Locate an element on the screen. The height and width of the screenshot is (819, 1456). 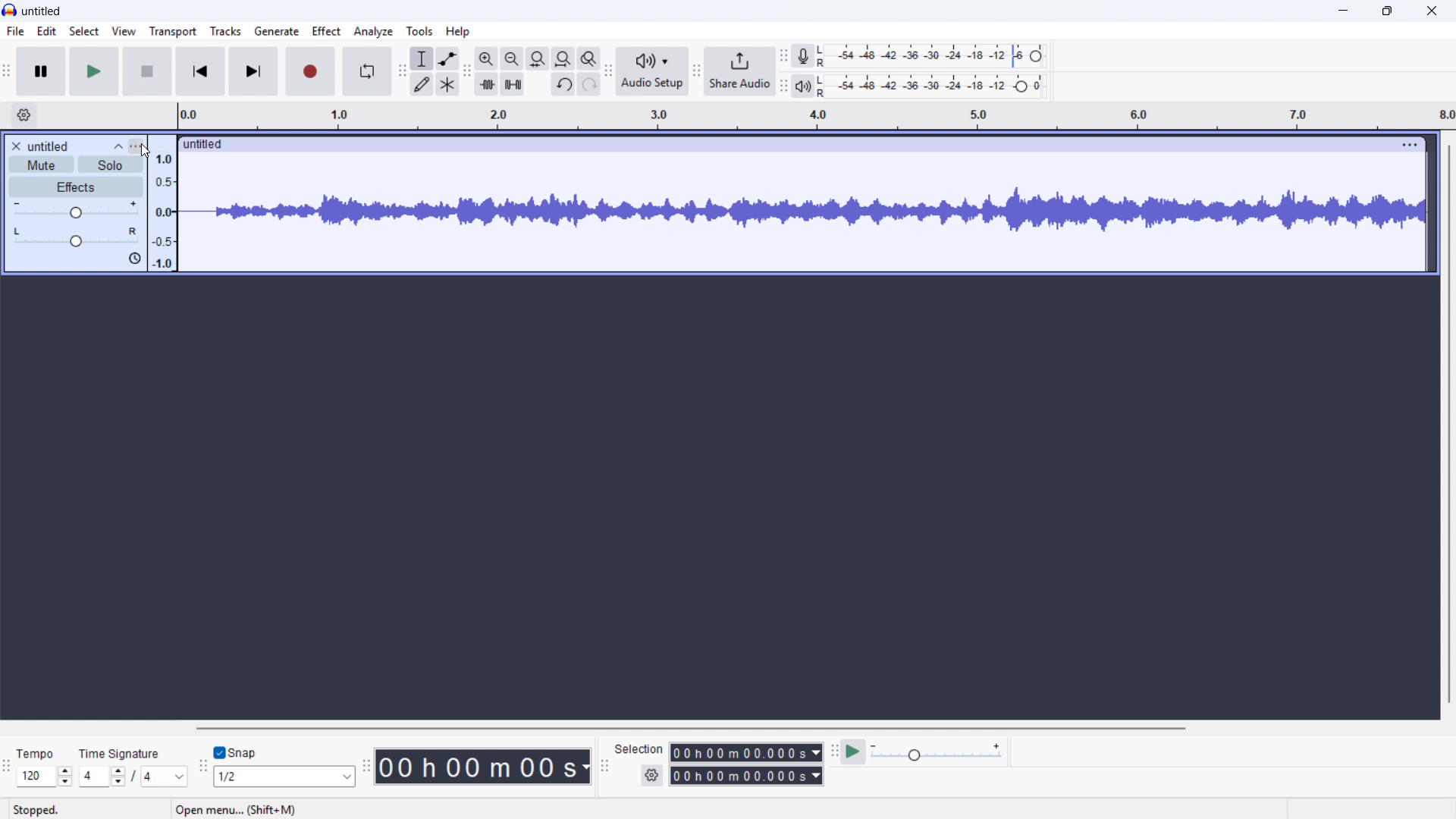
Silence audio selection  is located at coordinates (513, 85).